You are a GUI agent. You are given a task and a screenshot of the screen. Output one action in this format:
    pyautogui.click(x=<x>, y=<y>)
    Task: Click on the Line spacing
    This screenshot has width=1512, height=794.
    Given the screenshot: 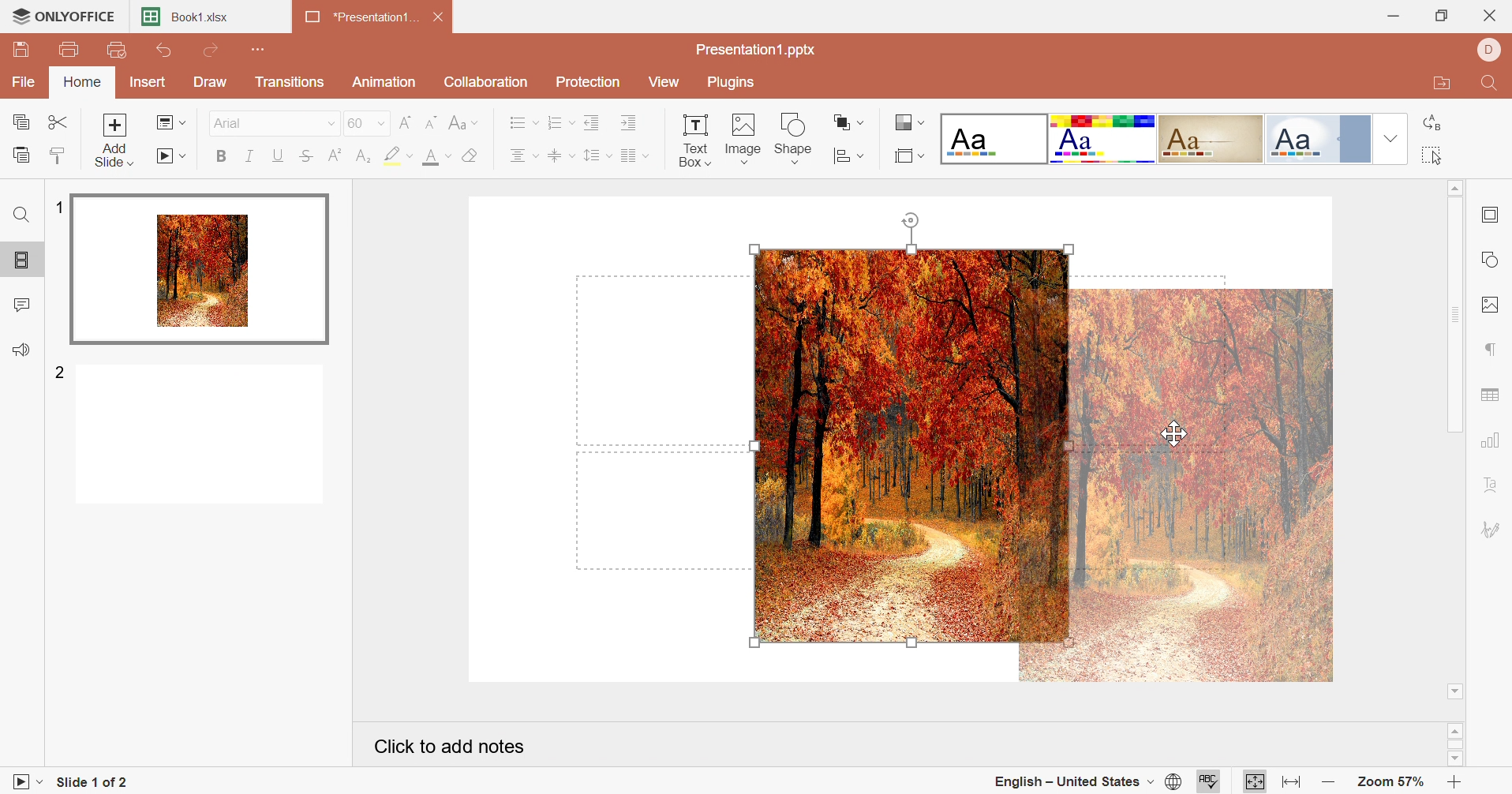 What is the action you would take?
    pyautogui.click(x=591, y=158)
    